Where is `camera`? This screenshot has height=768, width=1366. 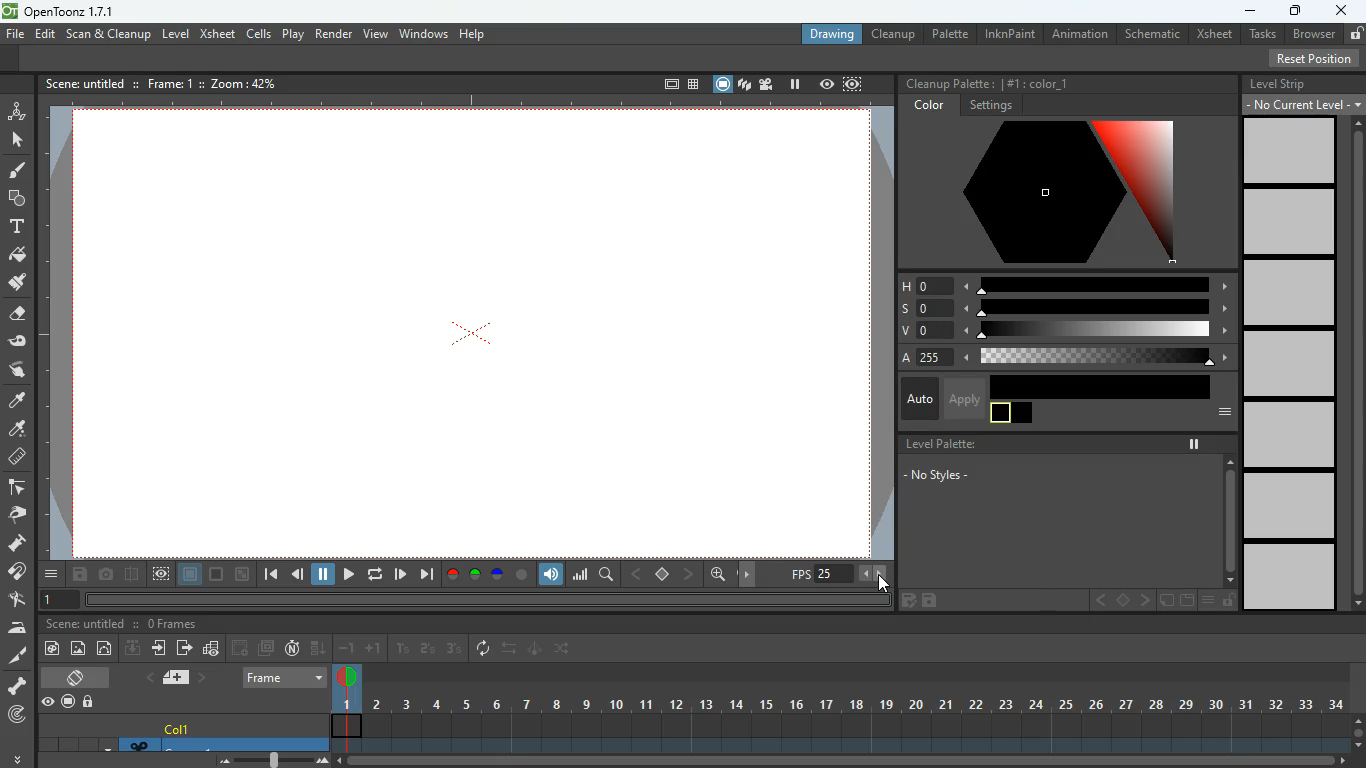
camera is located at coordinates (108, 576).